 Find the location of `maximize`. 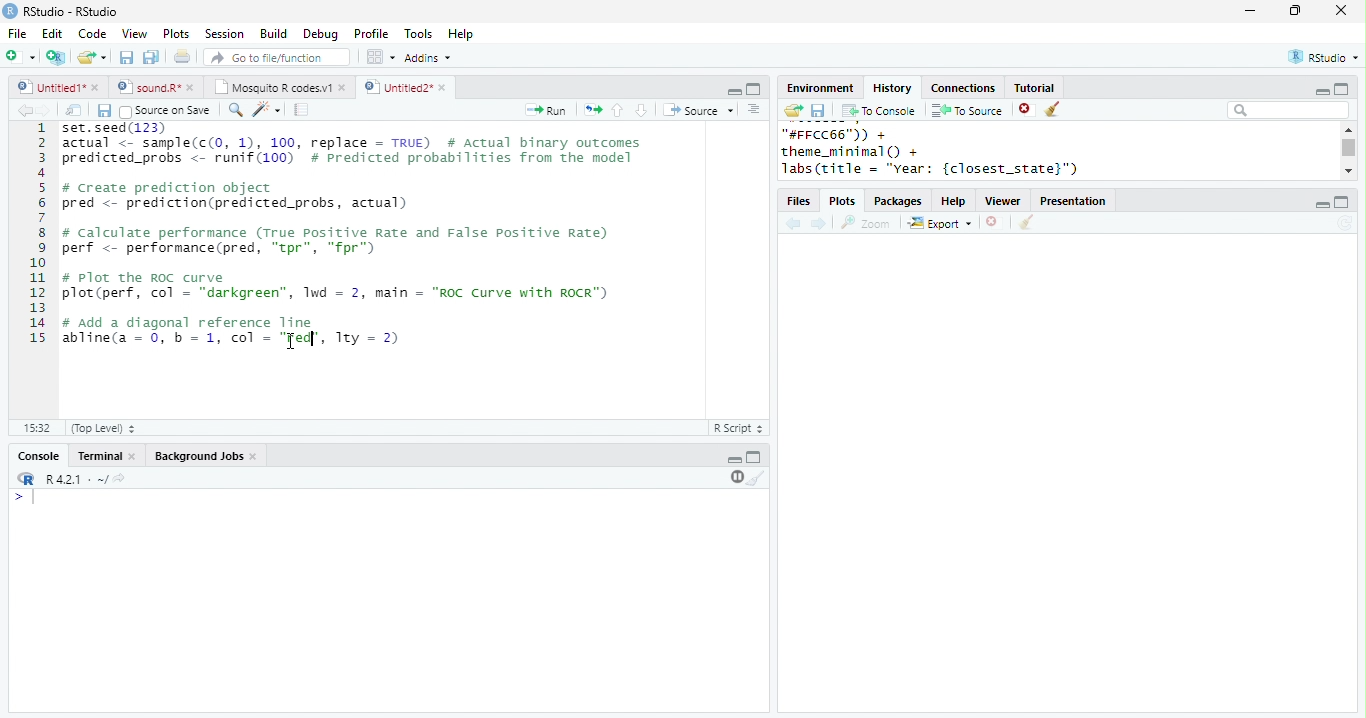

maximize is located at coordinates (753, 89).